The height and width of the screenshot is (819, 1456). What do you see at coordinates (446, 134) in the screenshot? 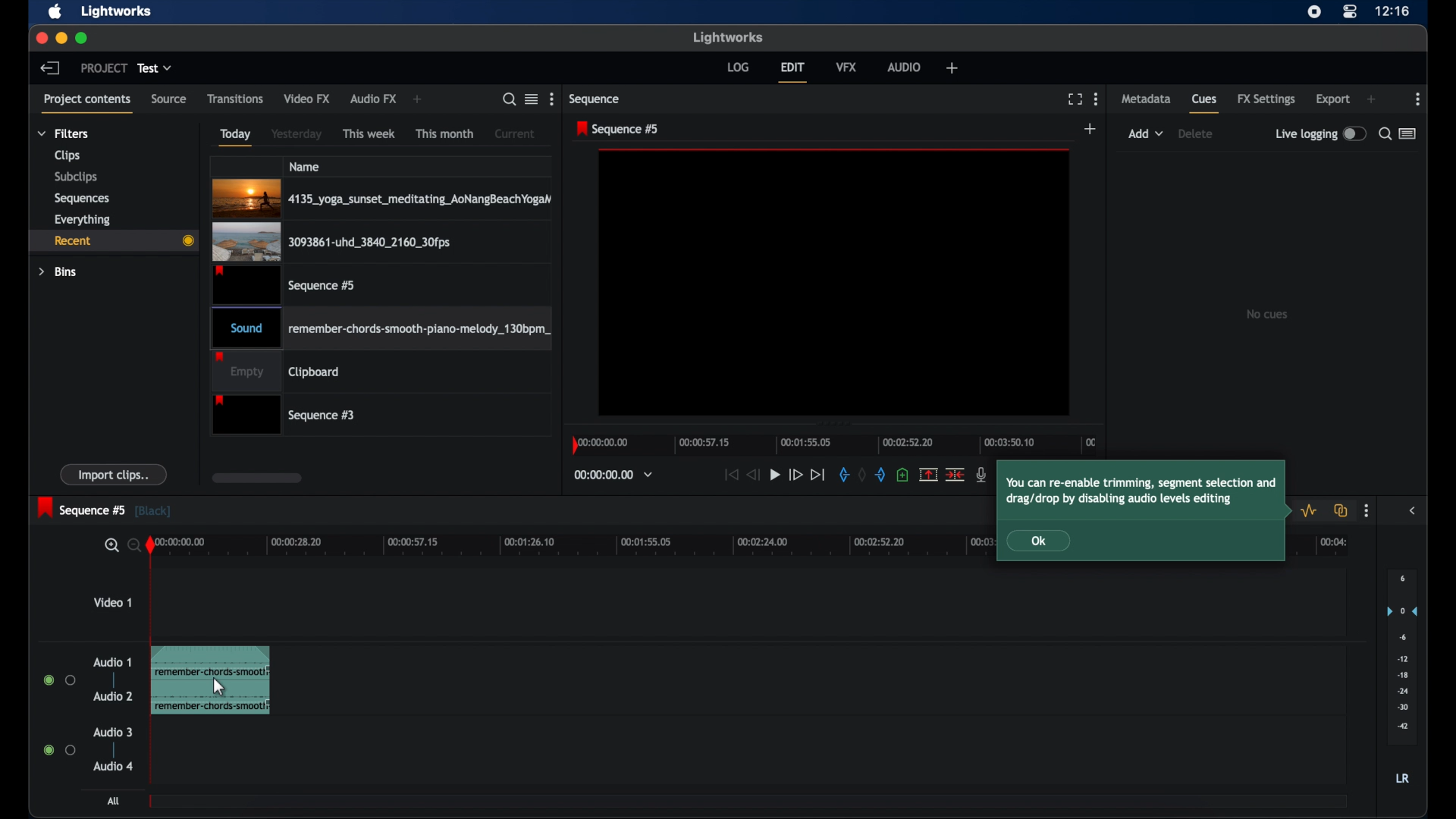
I see `this month` at bounding box center [446, 134].